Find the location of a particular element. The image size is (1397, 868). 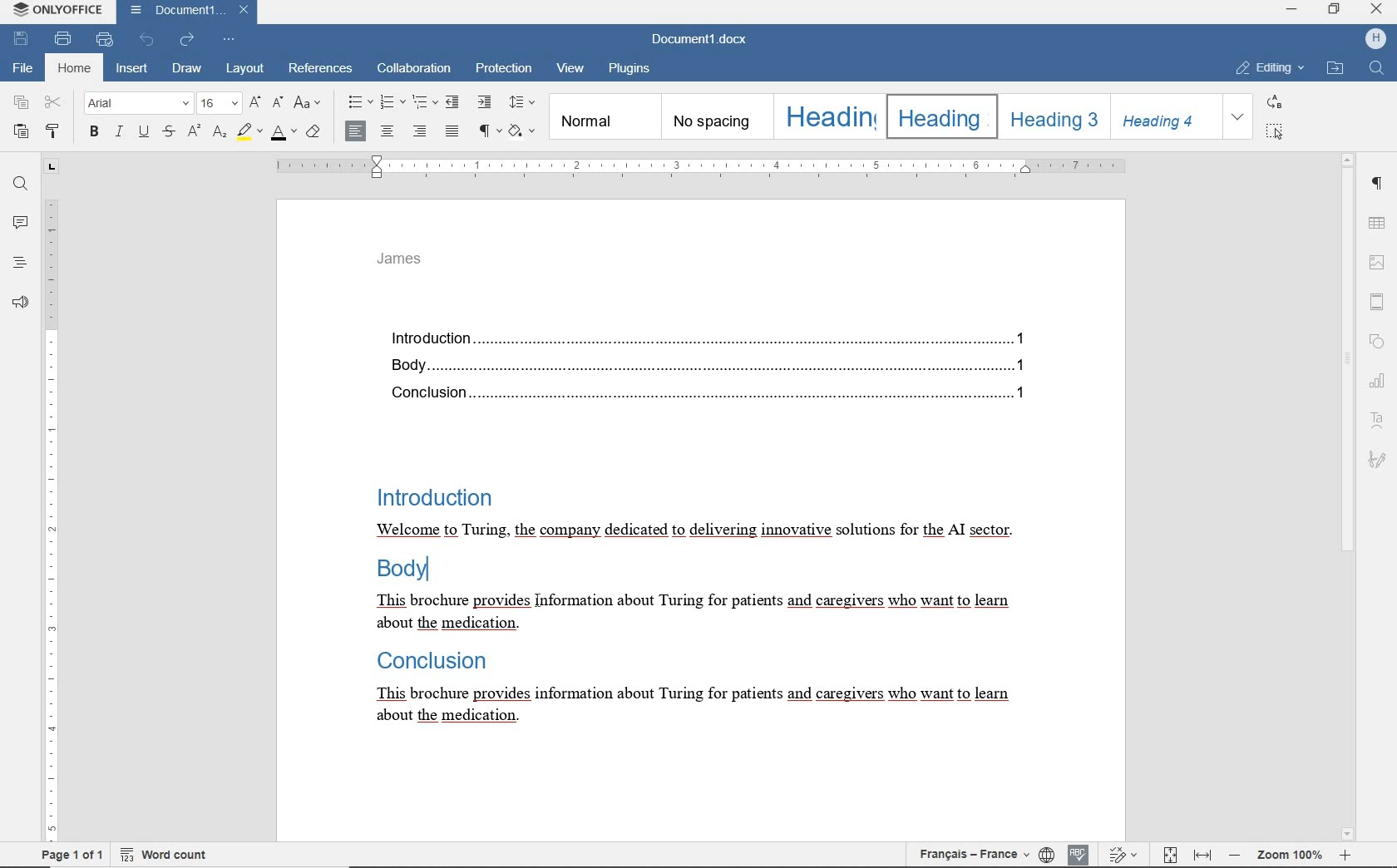

SAVE is located at coordinates (22, 39).